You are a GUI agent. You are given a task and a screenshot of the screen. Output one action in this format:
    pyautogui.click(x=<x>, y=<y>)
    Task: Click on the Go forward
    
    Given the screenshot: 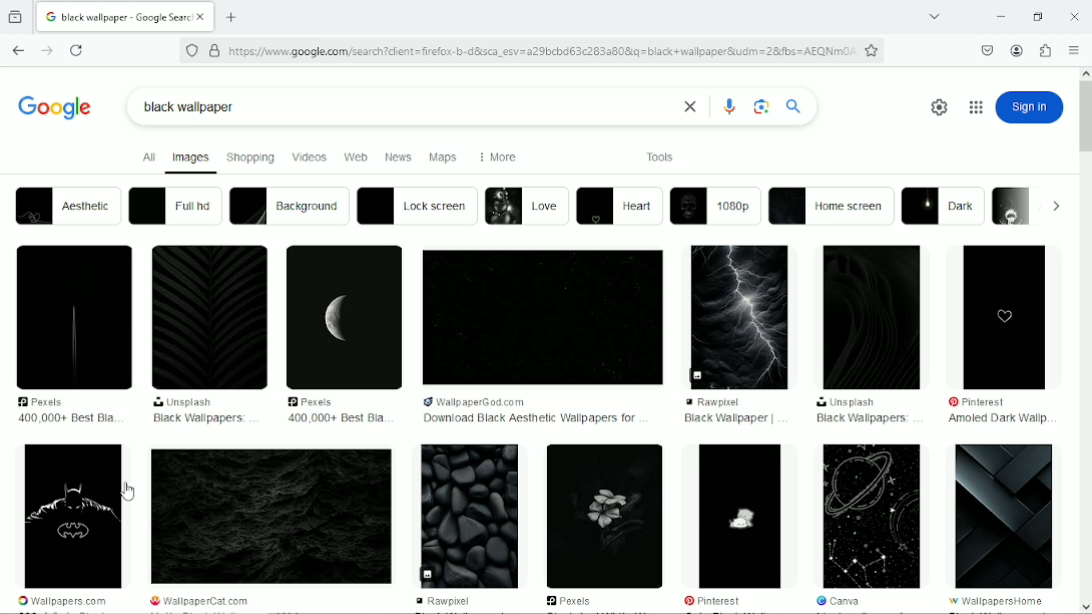 What is the action you would take?
    pyautogui.click(x=45, y=51)
    